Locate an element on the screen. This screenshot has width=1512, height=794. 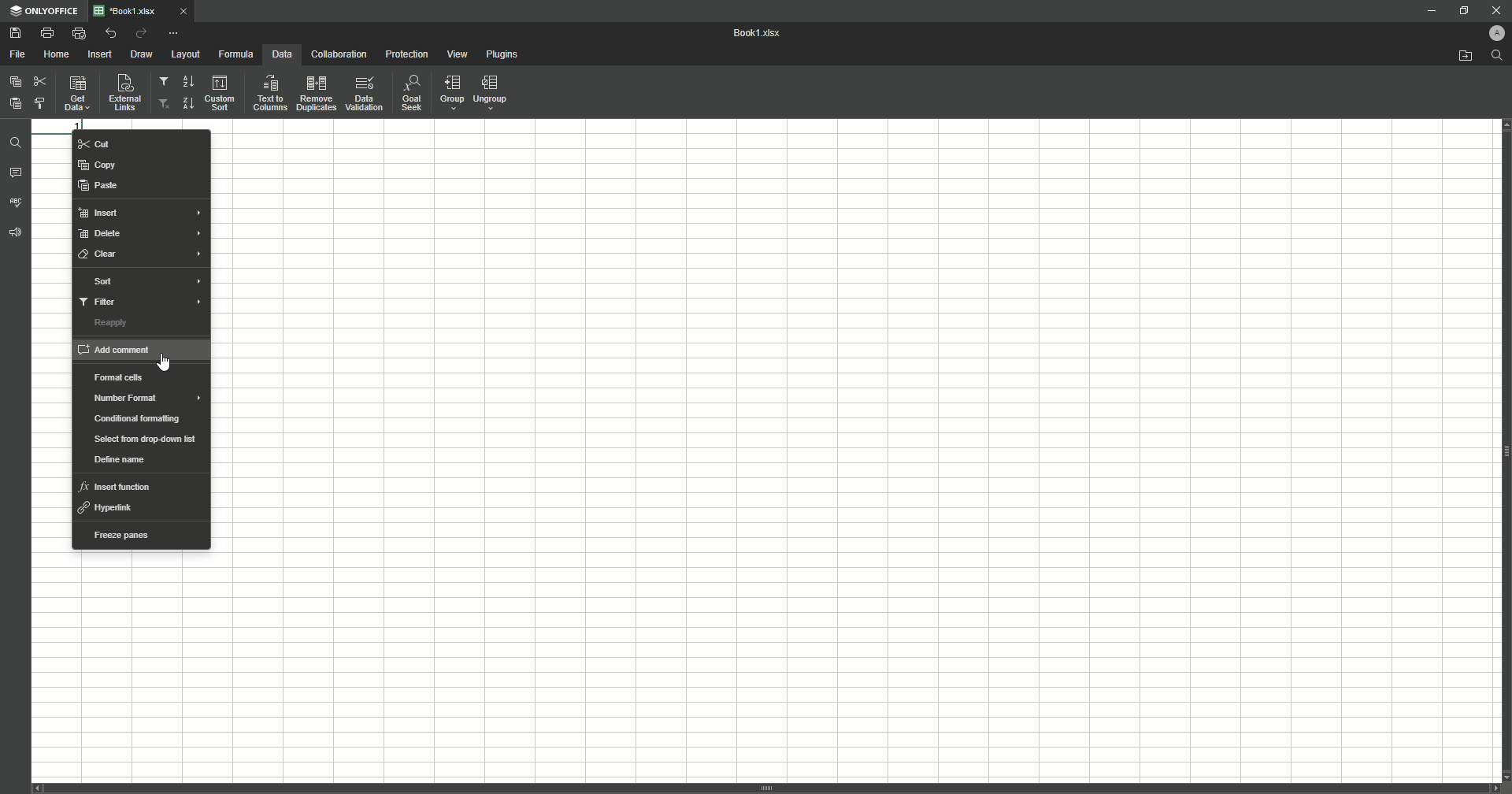
Plugins is located at coordinates (504, 55).